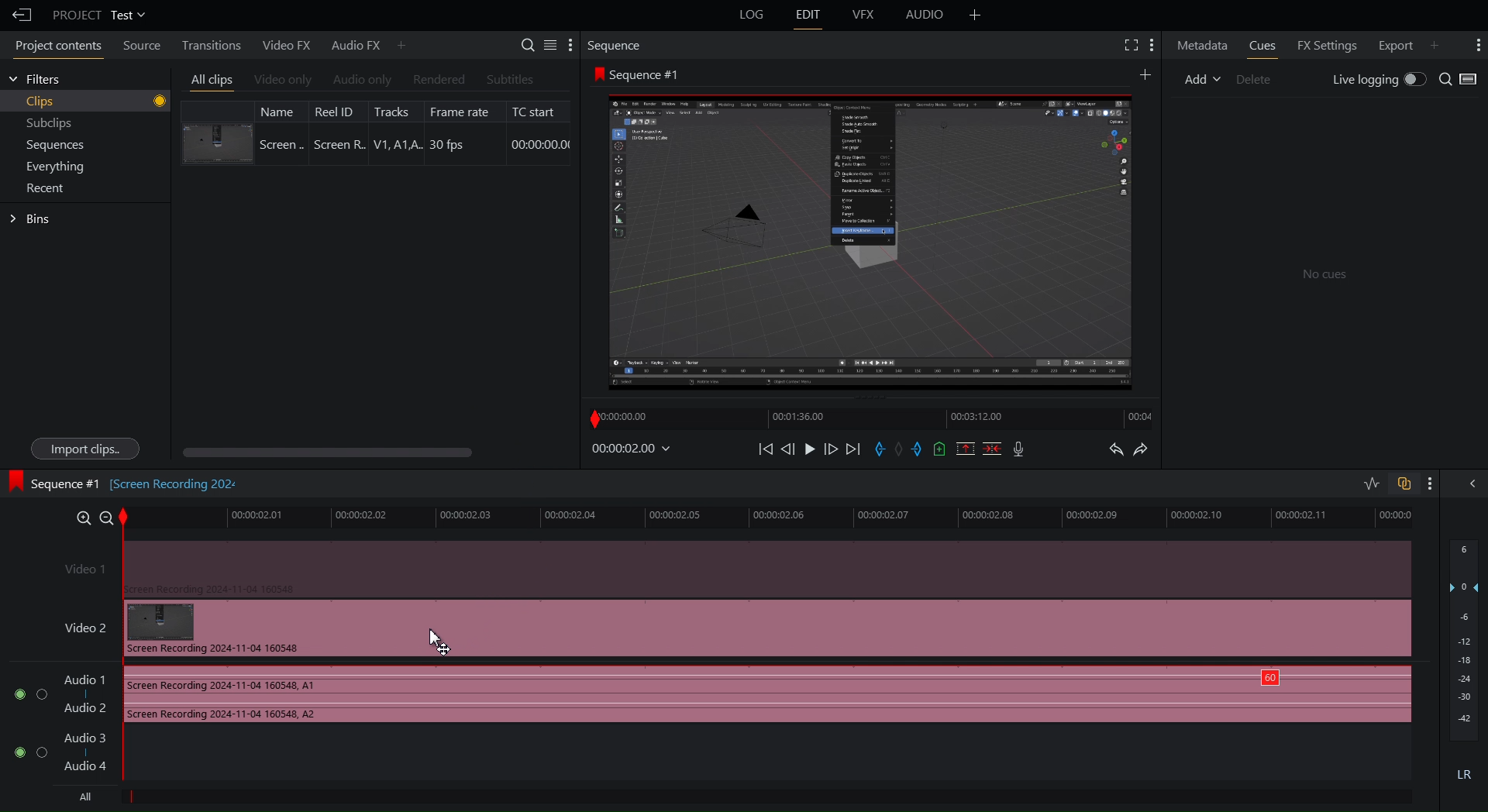  Describe the element at coordinates (1144, 74) in the screenshot. I see `Add` at that location.